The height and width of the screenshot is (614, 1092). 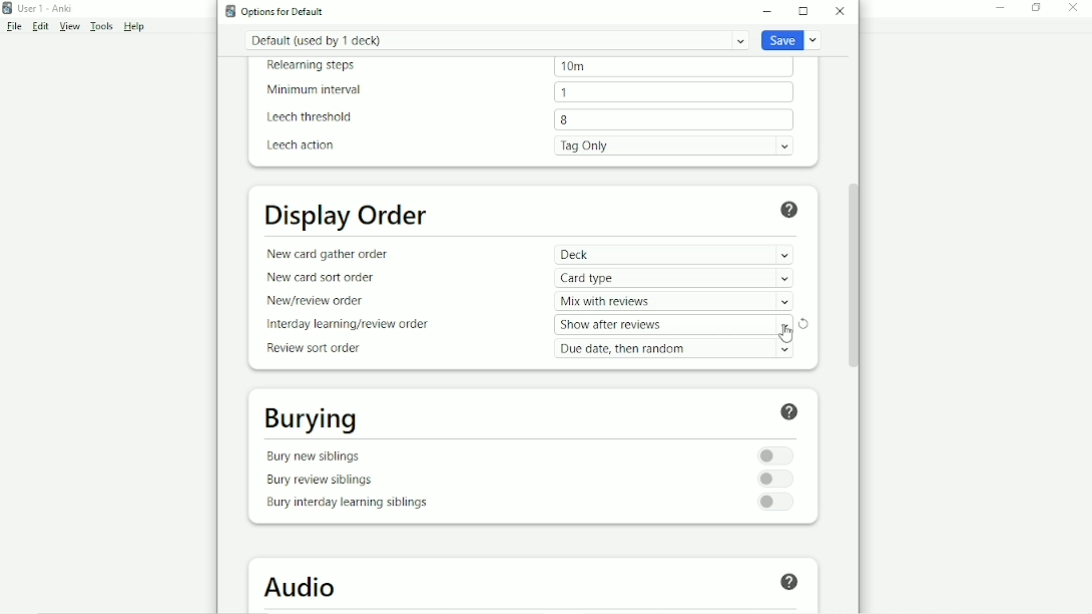 I want to click on 1, so click(x=673, y=92).